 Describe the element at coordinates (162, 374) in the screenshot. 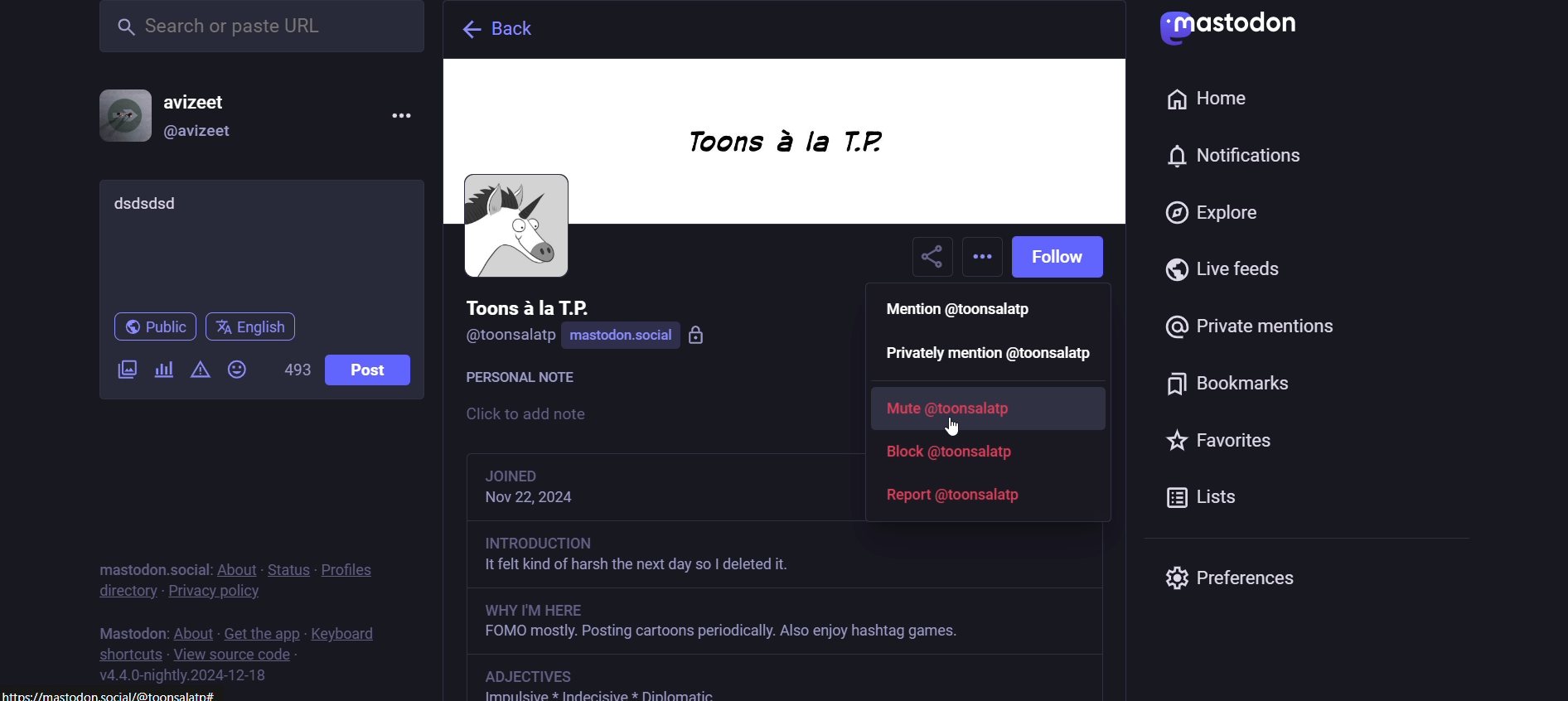

I see `add a poll` at that location.